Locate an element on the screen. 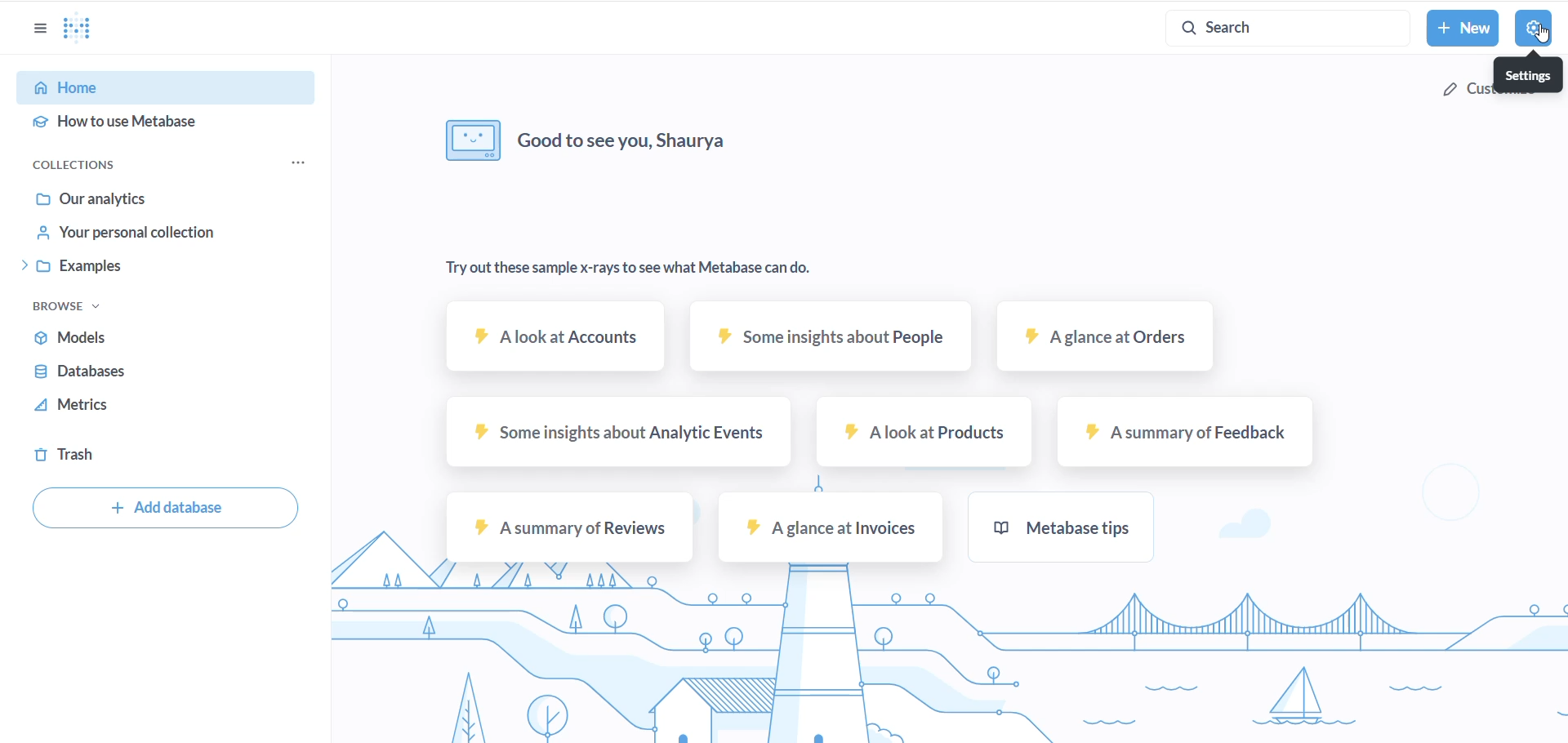 Image resolution: width=1568 pixels, height=743 pixels. A look at products sample is located at coordinates (920, 434).